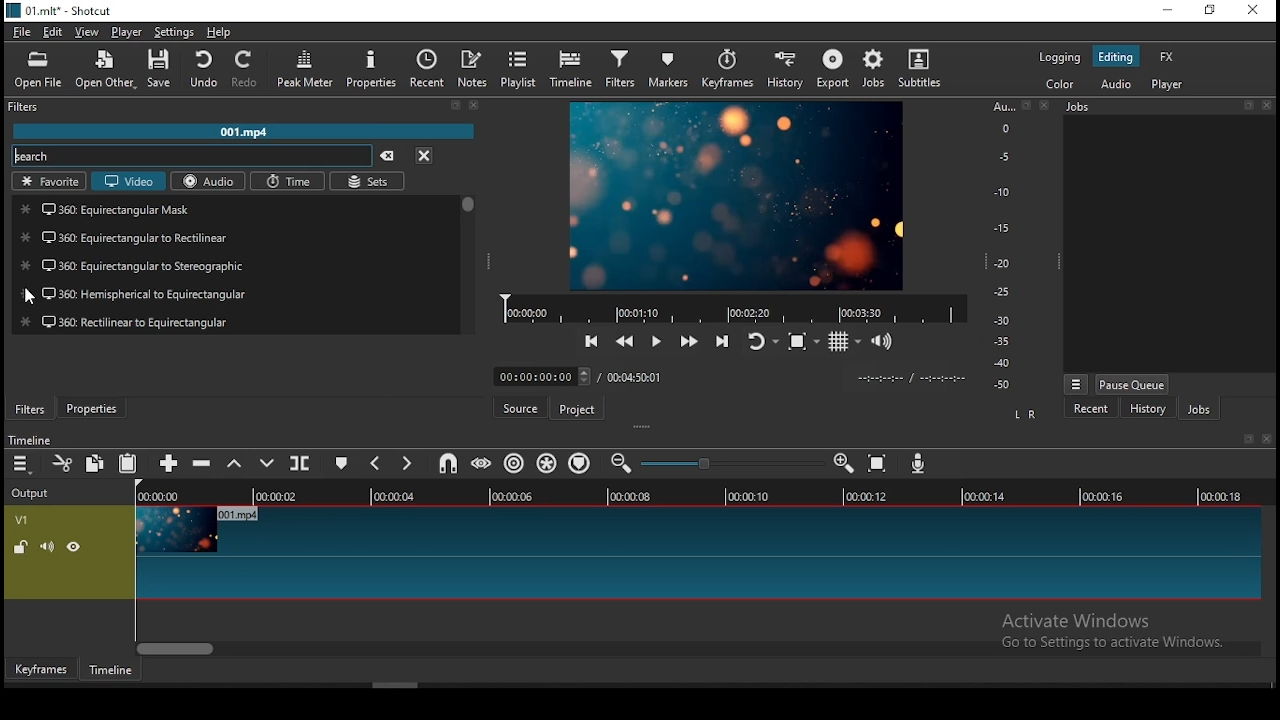 The image size is (1280, 720). Describe the element at coordinates (920, 66) in the screenshot. I see `subtitles` at that location.